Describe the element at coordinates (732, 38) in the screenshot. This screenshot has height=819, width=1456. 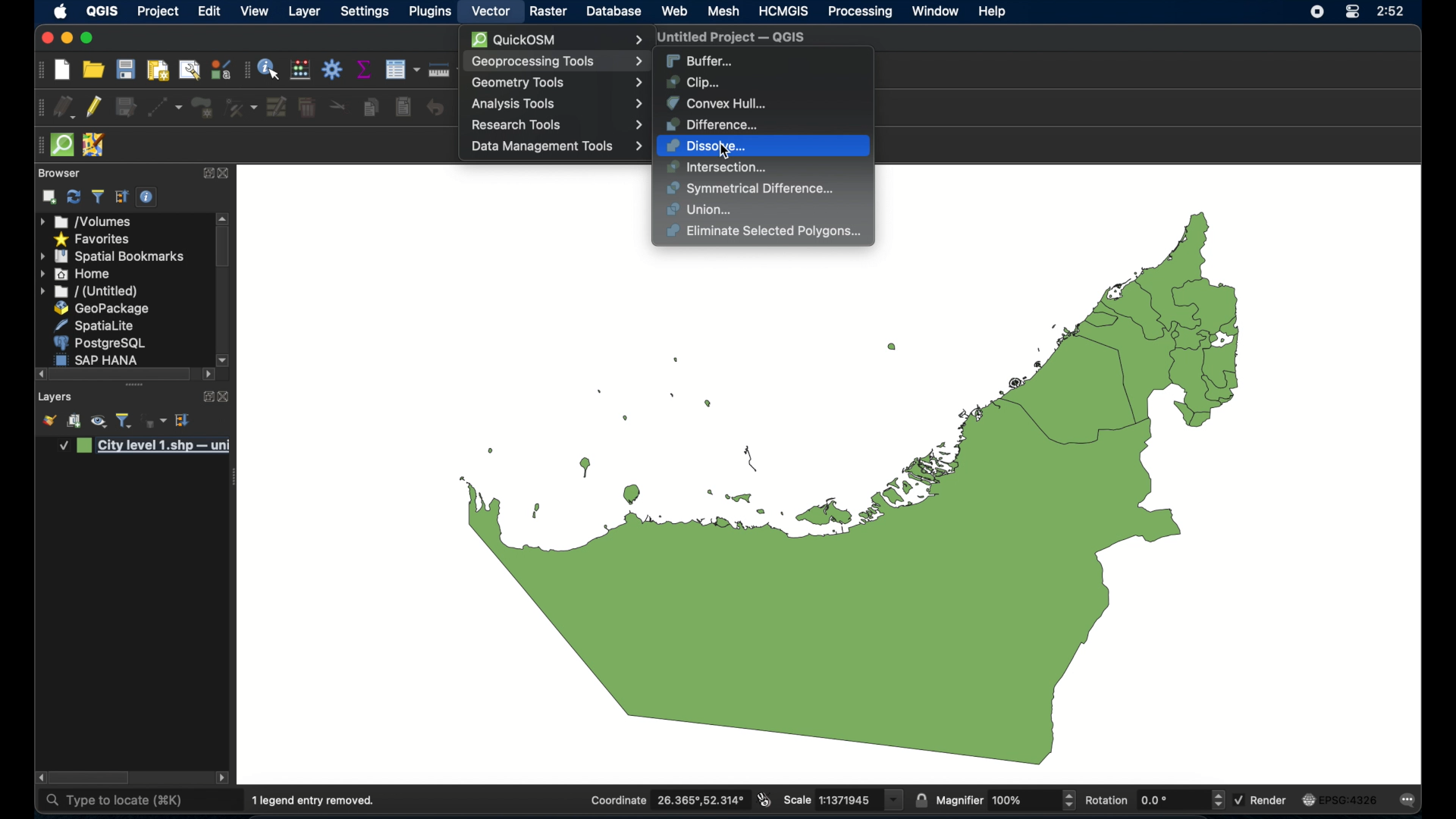
I see `untitled project - QGIS` at that location.